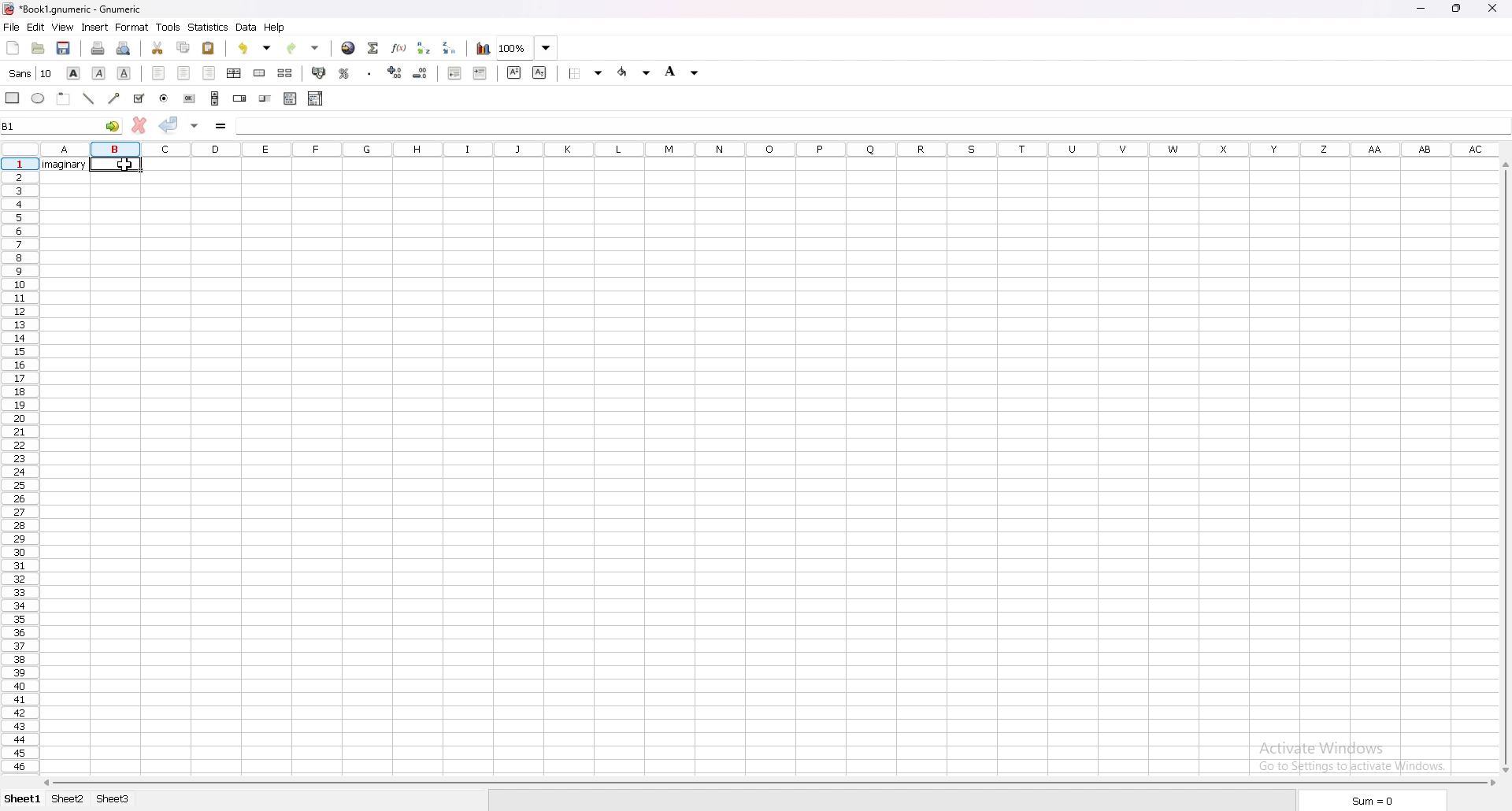 This screenshot has height=811, width=1512. Describe the element at coordinates (240, 98) in the screenshot. I see `spin button` at that location.